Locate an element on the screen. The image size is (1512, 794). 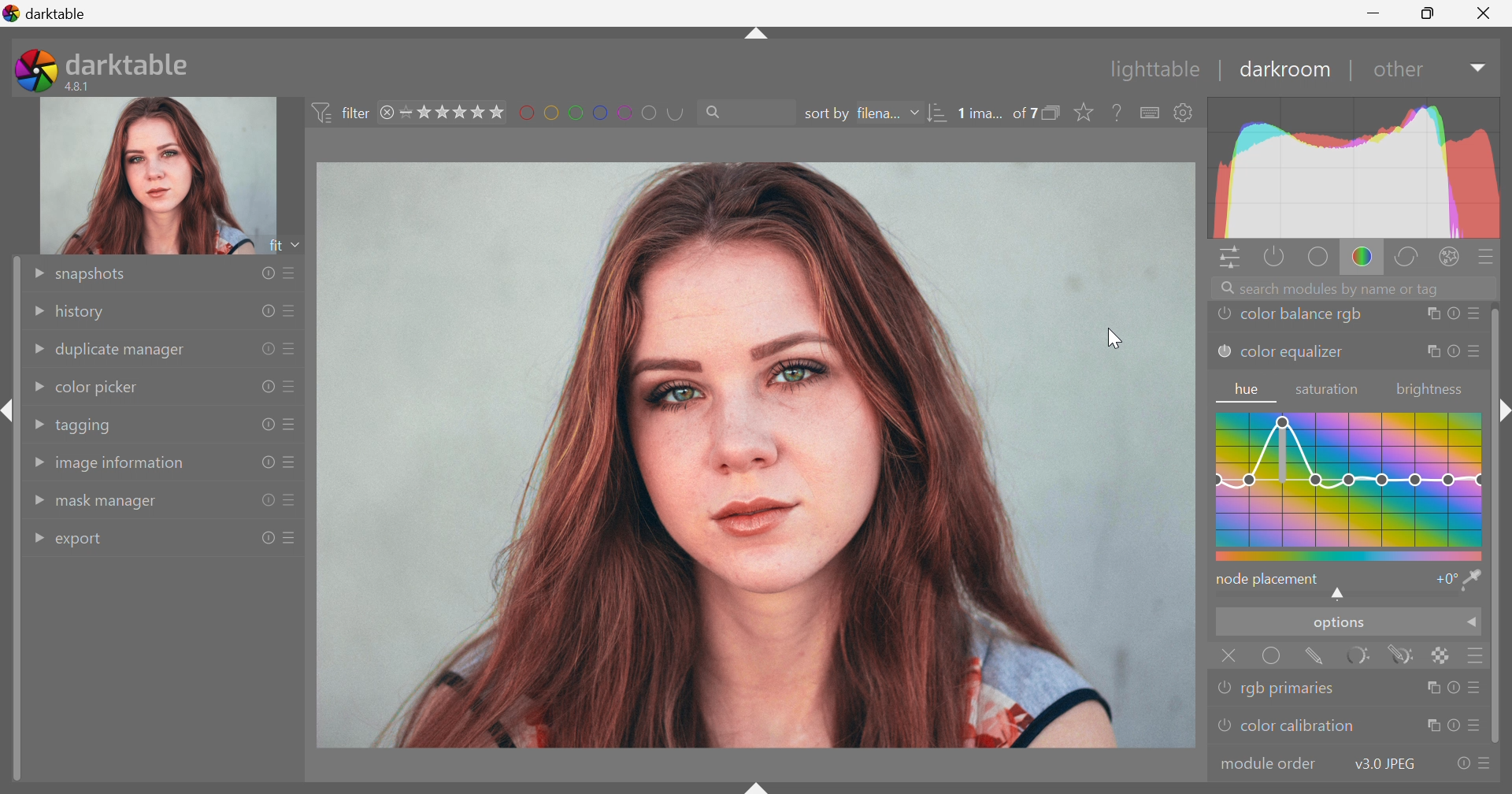
reset is located at coordinates (1452, 726).